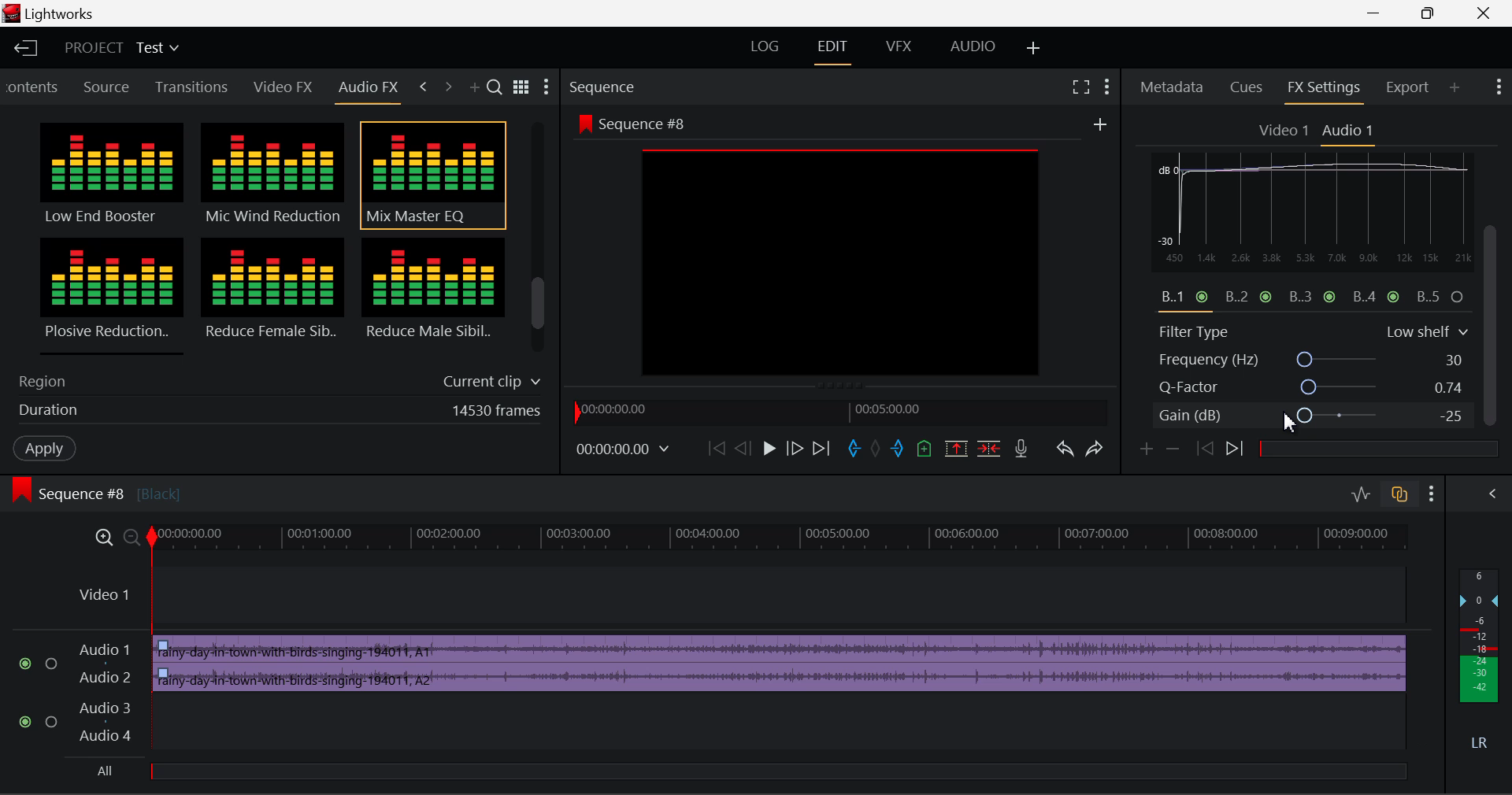 This screenshot has height=795, width=1512. I want to click on Sequence #8, so click(122, 486).